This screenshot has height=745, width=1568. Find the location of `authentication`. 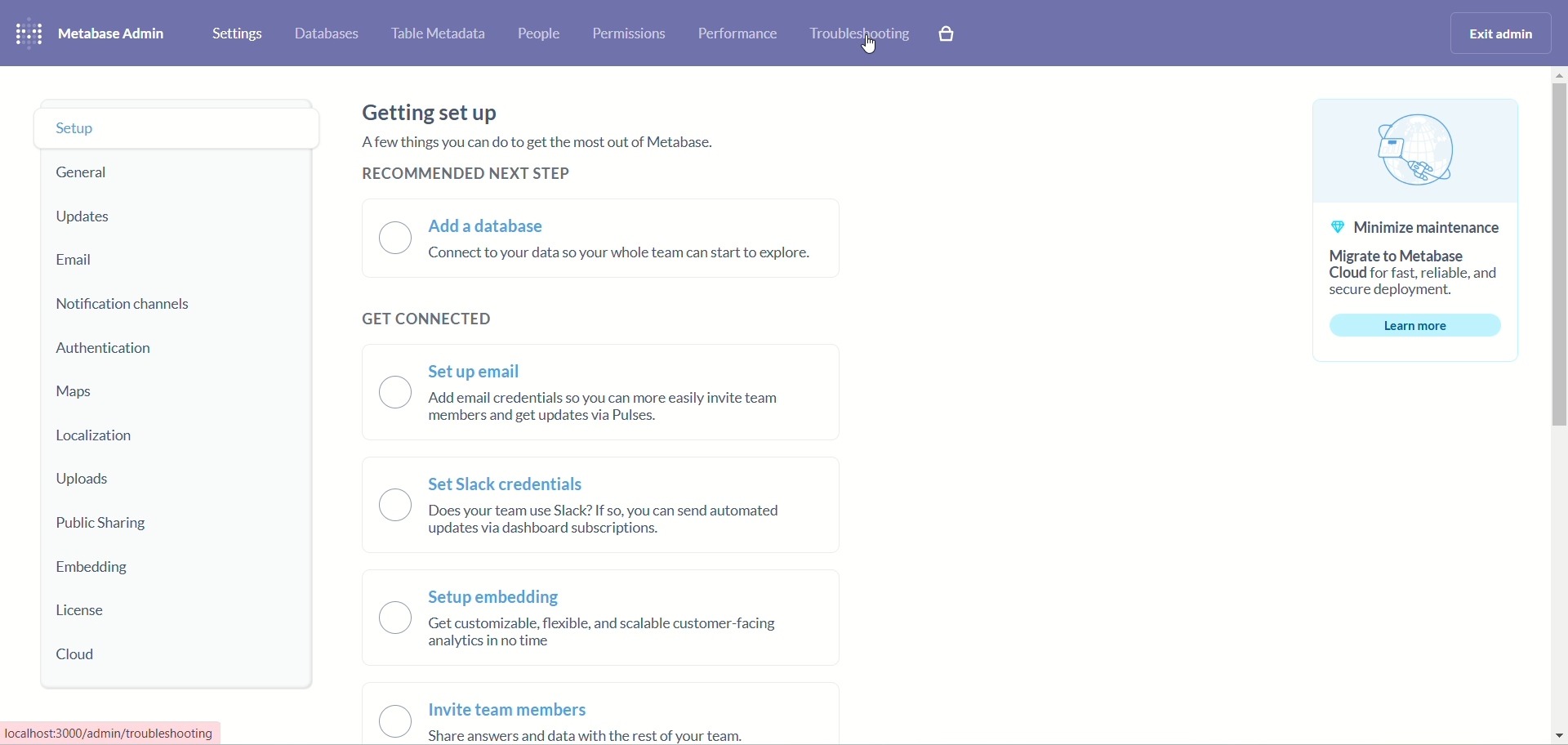

authentication is located at coordinates (106, 350).